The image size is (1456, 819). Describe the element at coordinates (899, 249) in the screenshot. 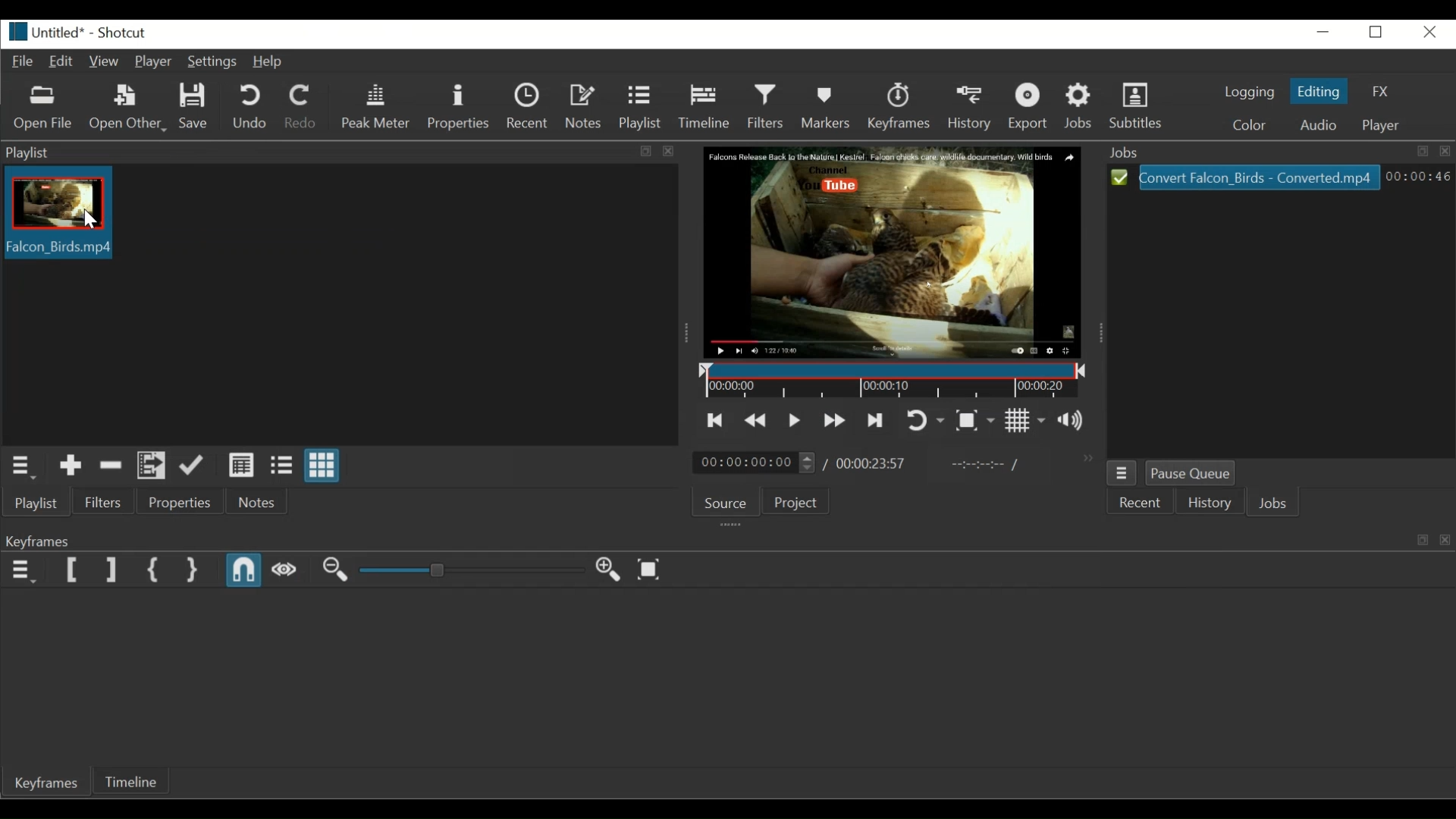

I see `Falcon Release Back to the Nature | Kestrel. Falcon chicks care wildlife documentary. Wild Birds. Channel. You tube (Media Player)` at that location.